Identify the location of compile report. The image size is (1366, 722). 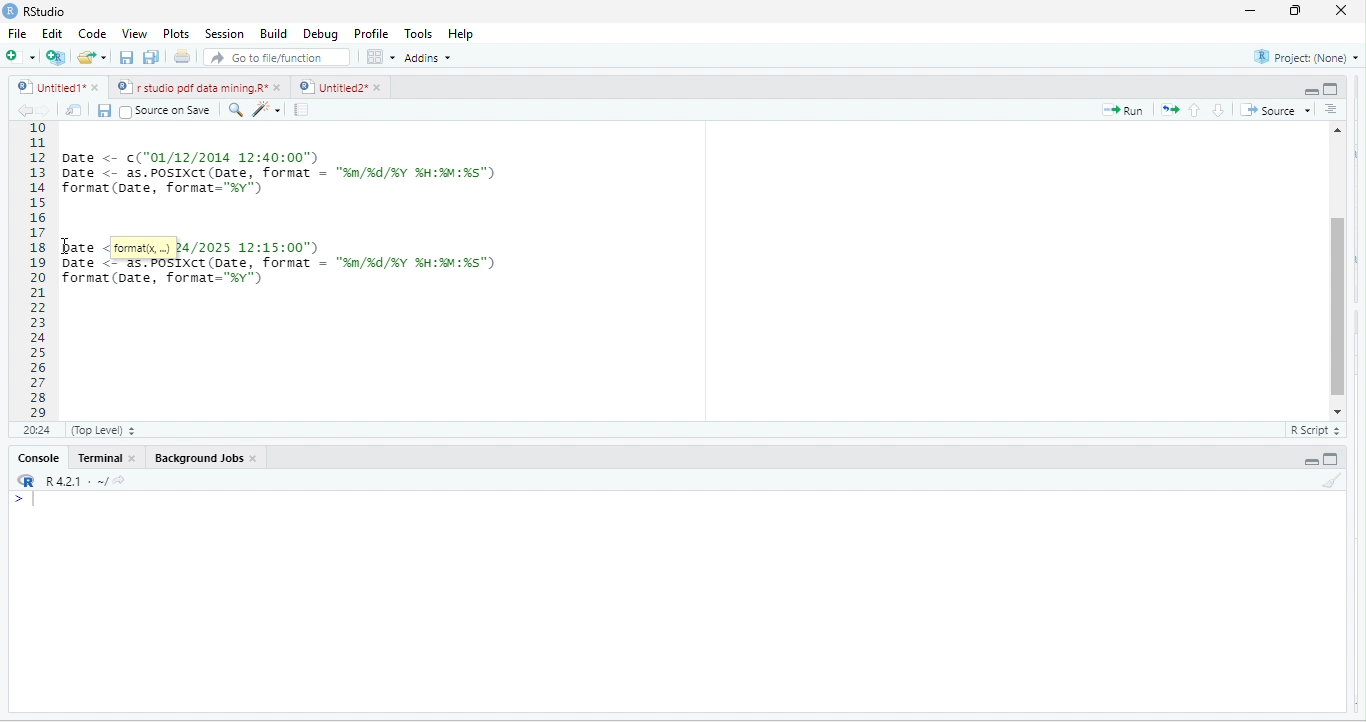
(304, 109).